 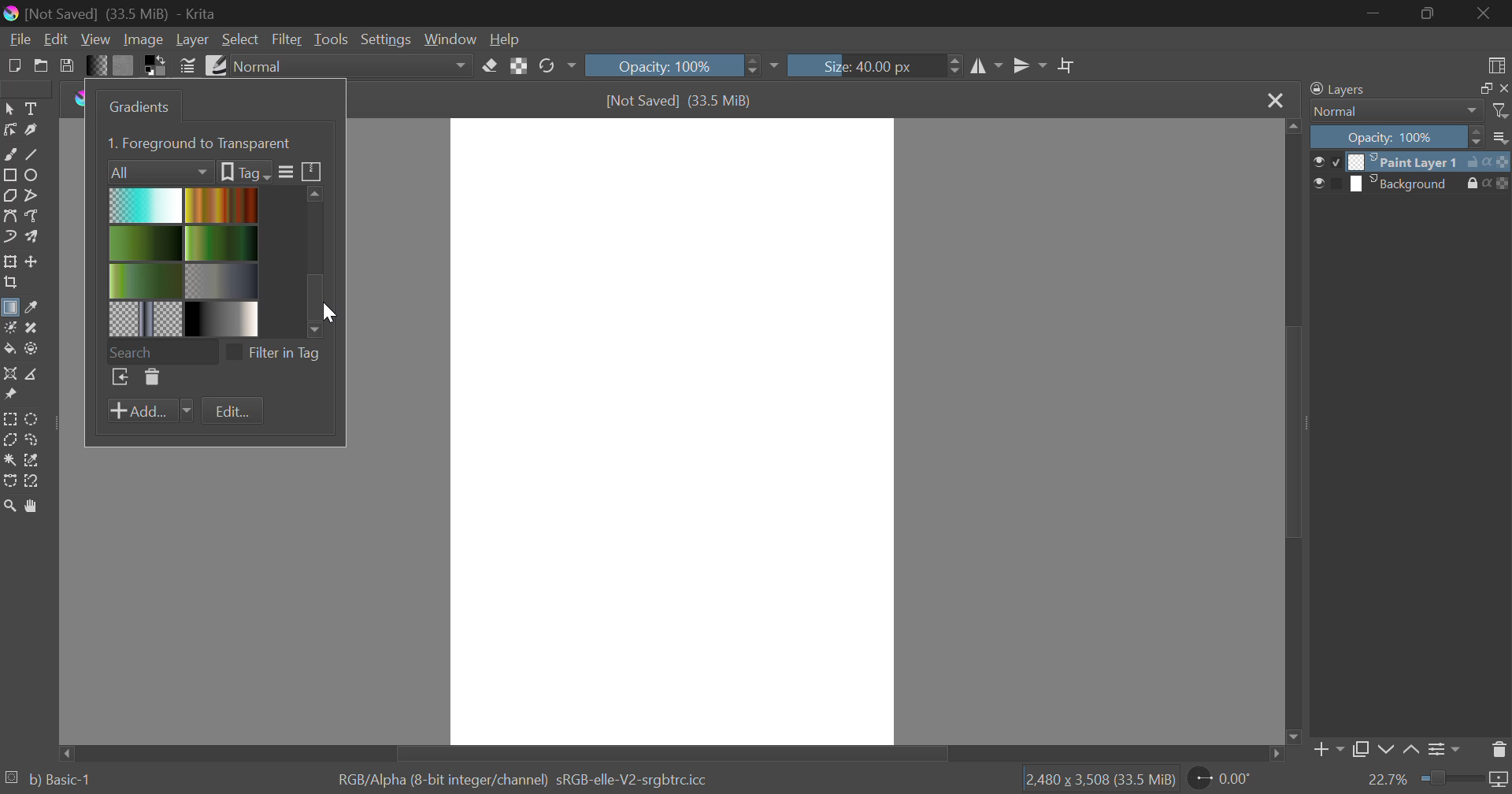 What do you see at coordinates (120, 379) in the screenshot?
I see `Import resource` at bounding box center [120, 379].